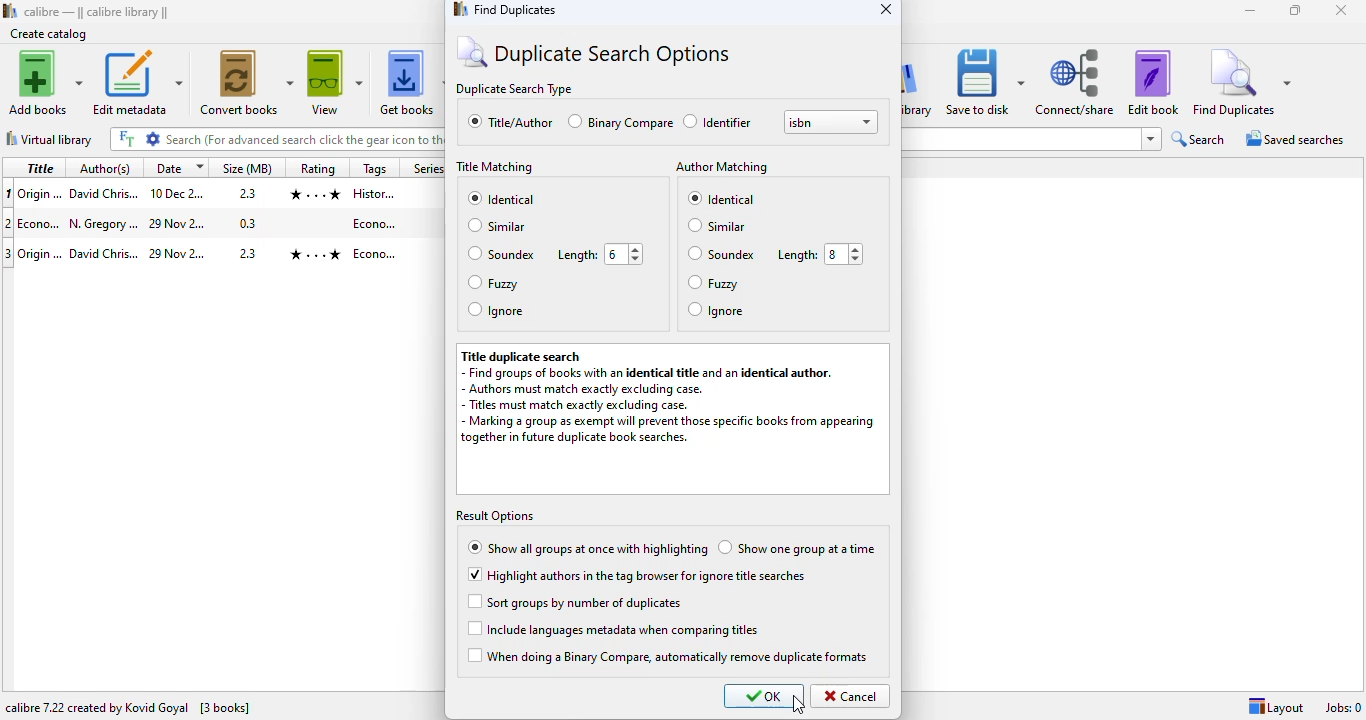  Describe the element at coordinates (97, 707) in the screenshot. I see `calibre 7.22 created by Kovid Goyal` at that location.